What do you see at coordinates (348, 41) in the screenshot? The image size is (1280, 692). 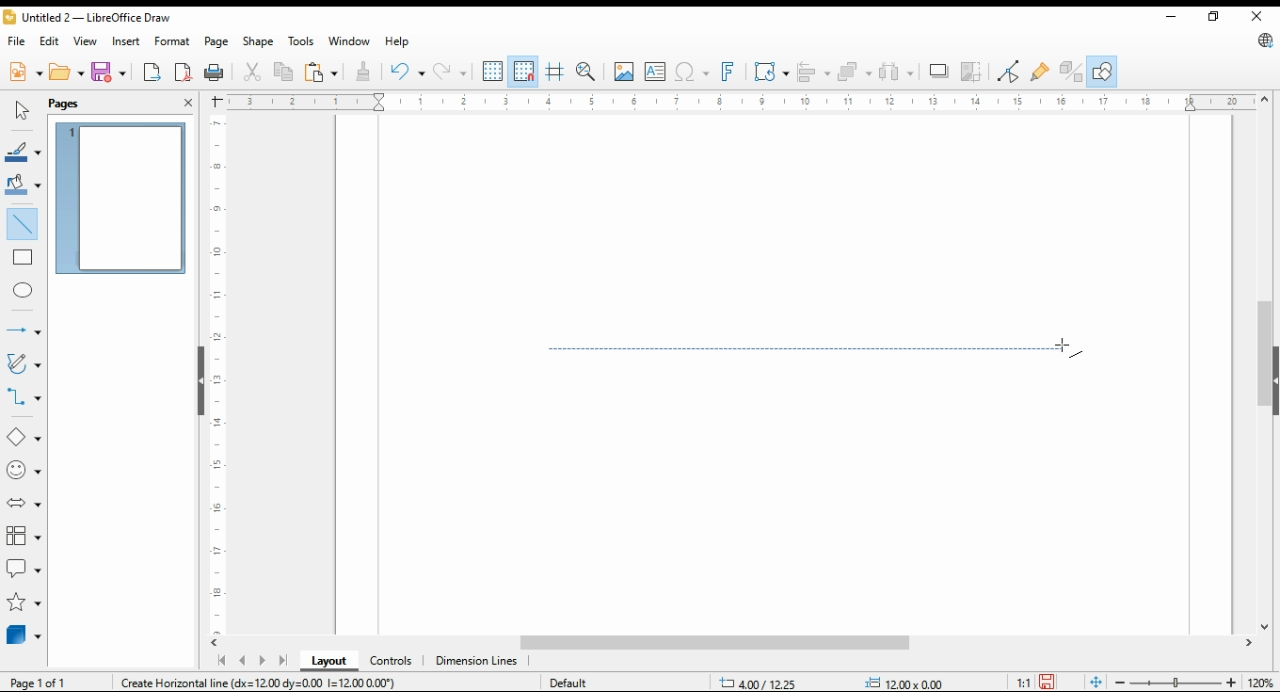 I see `window` at bounding box center [348, 41].